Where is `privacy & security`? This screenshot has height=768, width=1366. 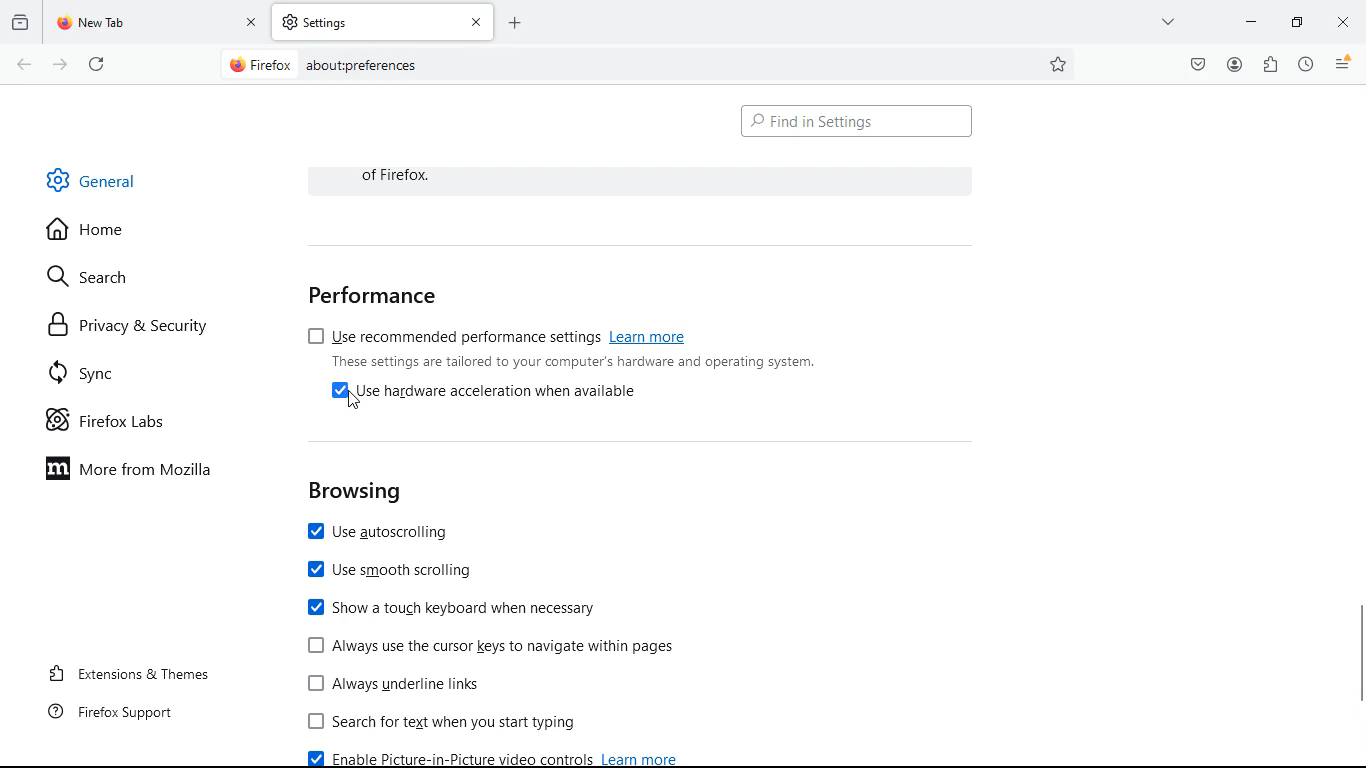
privacy & security is located at coordinates (130, 325).